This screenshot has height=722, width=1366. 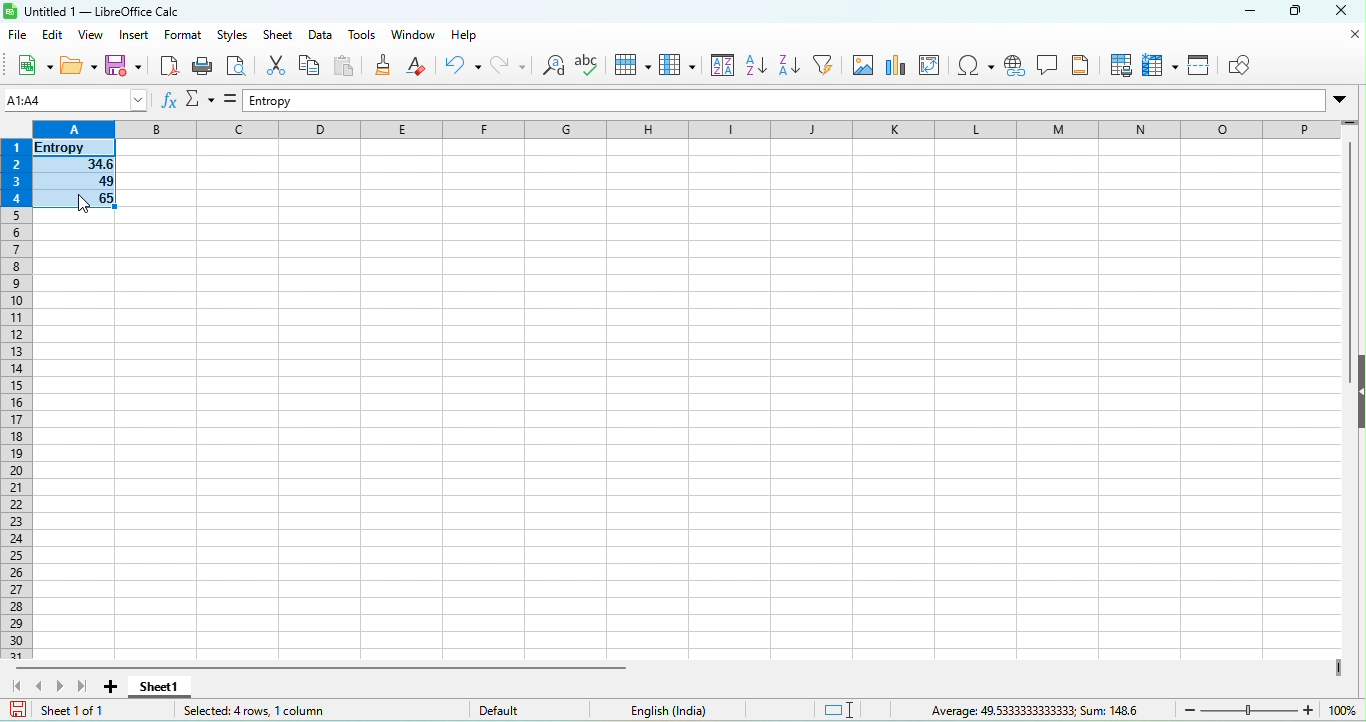 What do you see at coordinates (264, 712) in the screenshot?
I see `selected 4 rows ,1 column` at bounding box center [264, 712].